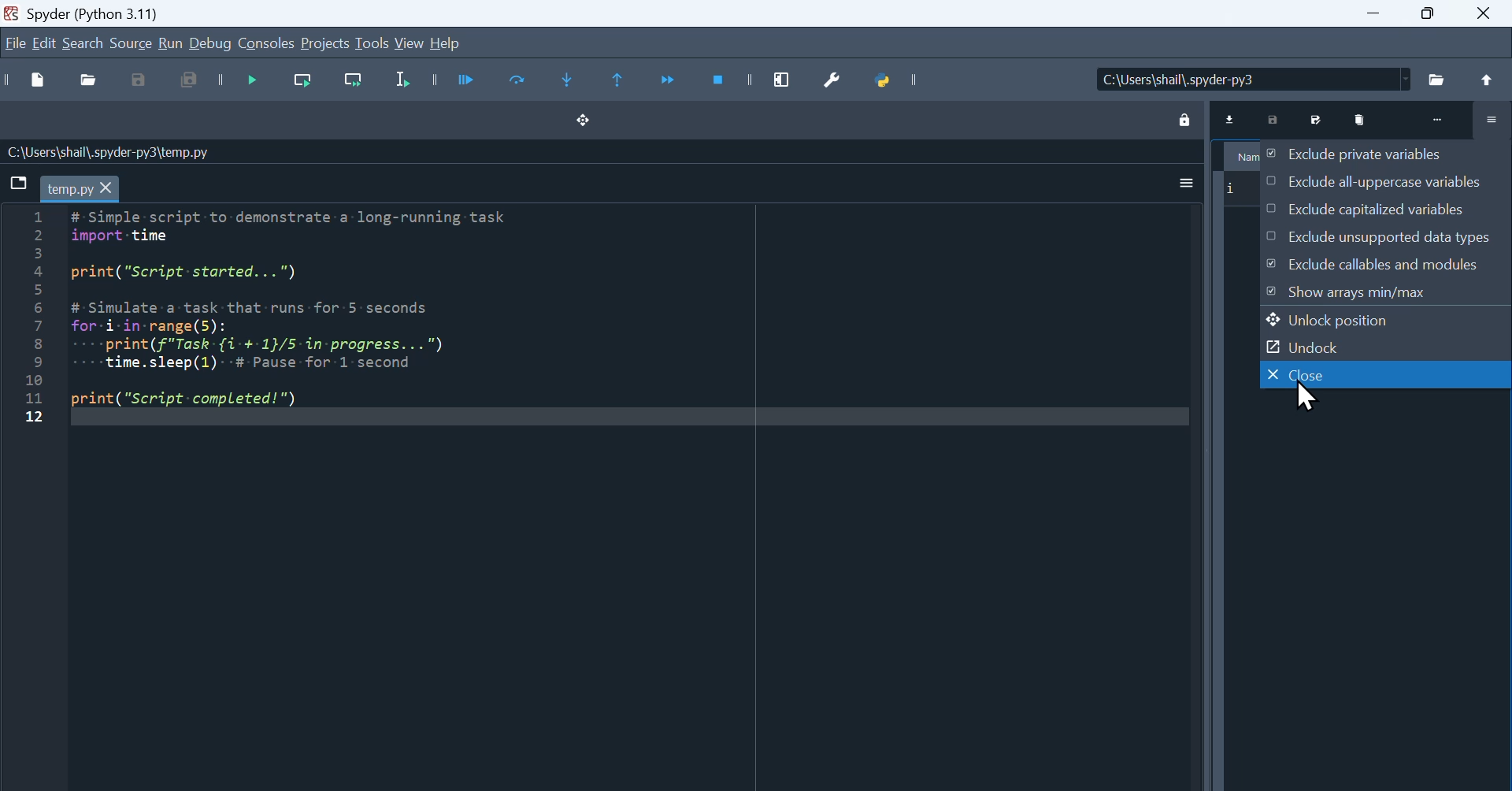 This screenshot has height=791, width=1512. Describe the element at coordinates (89, 80) in the screenshot. I see `Open file` at that location.